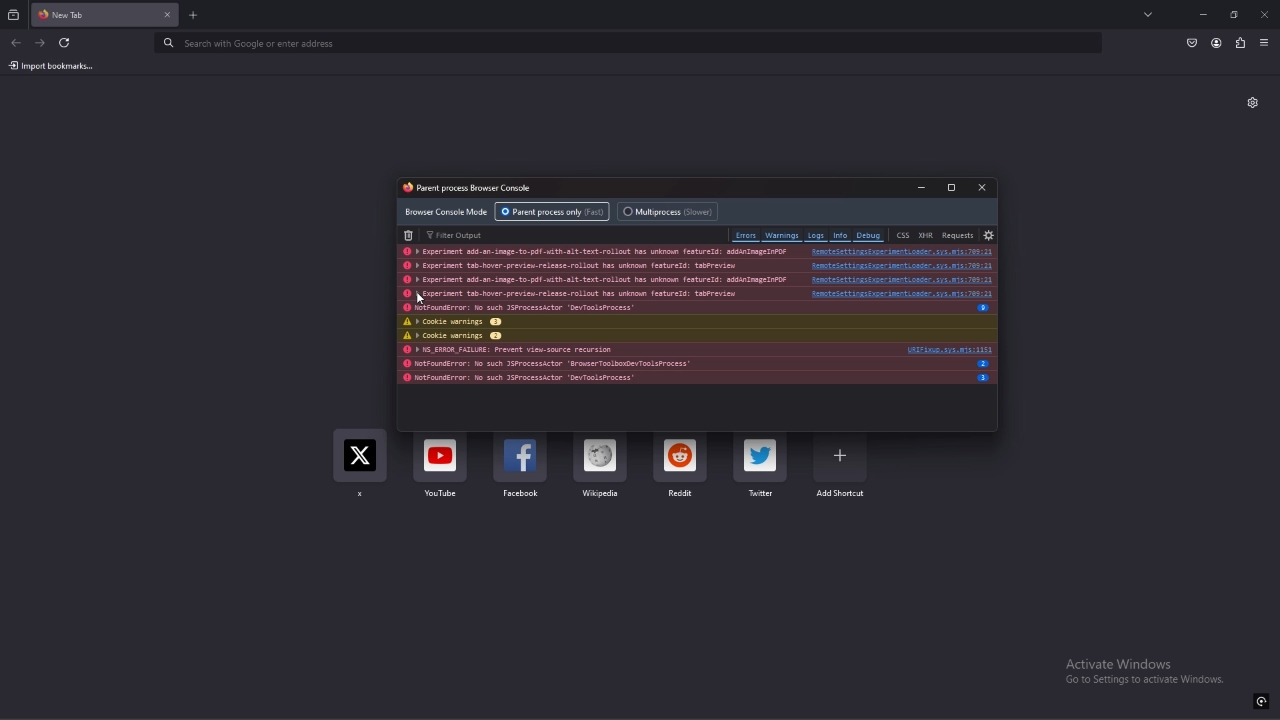  I want to click on recent browsing, so click(14, 16).